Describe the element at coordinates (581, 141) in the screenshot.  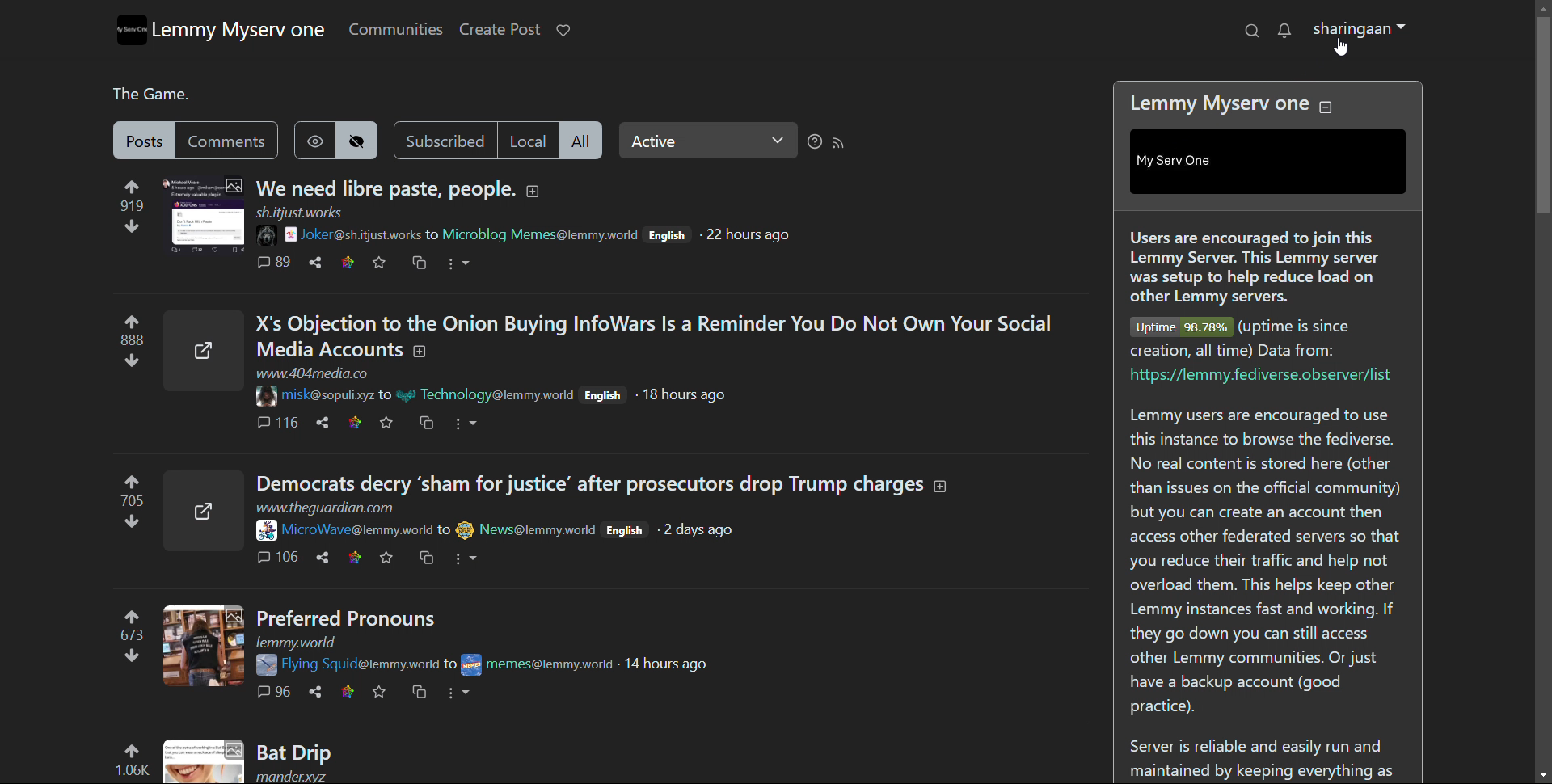
I see `all` at that location.